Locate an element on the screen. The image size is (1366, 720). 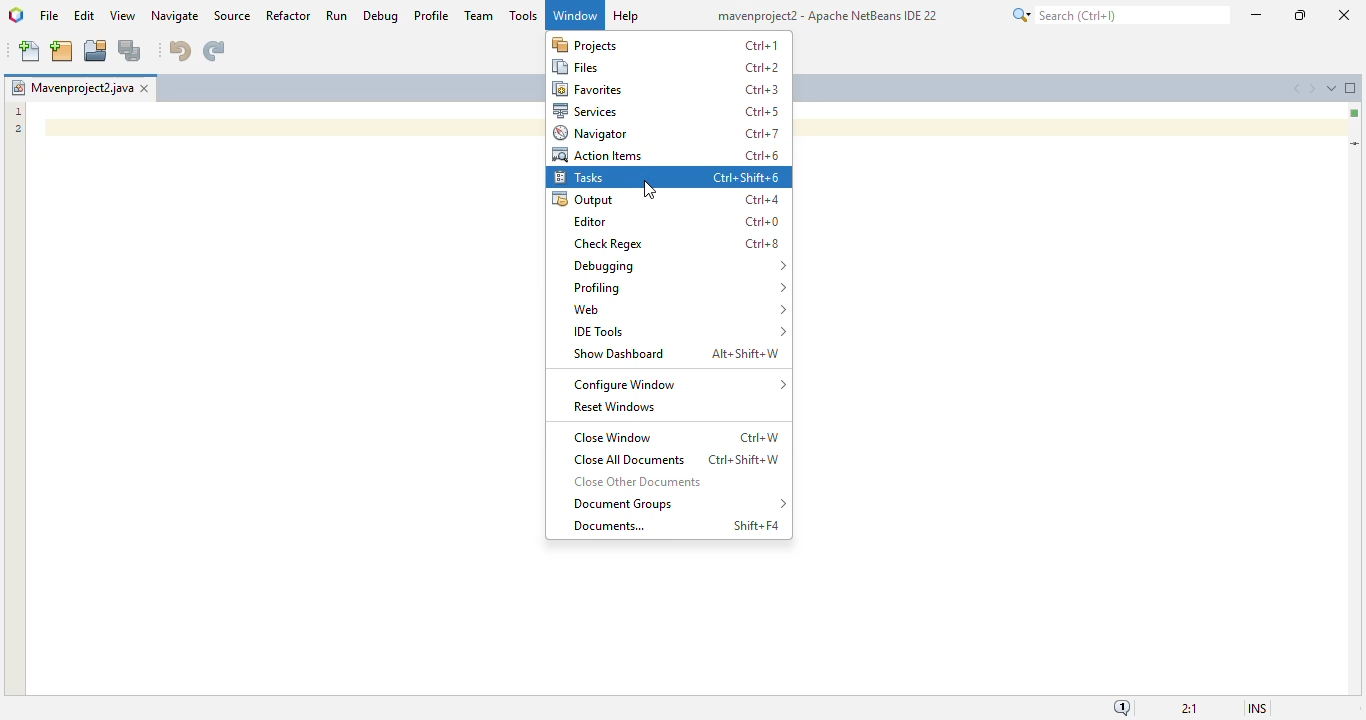
debug is located at coordinates (382, 15).